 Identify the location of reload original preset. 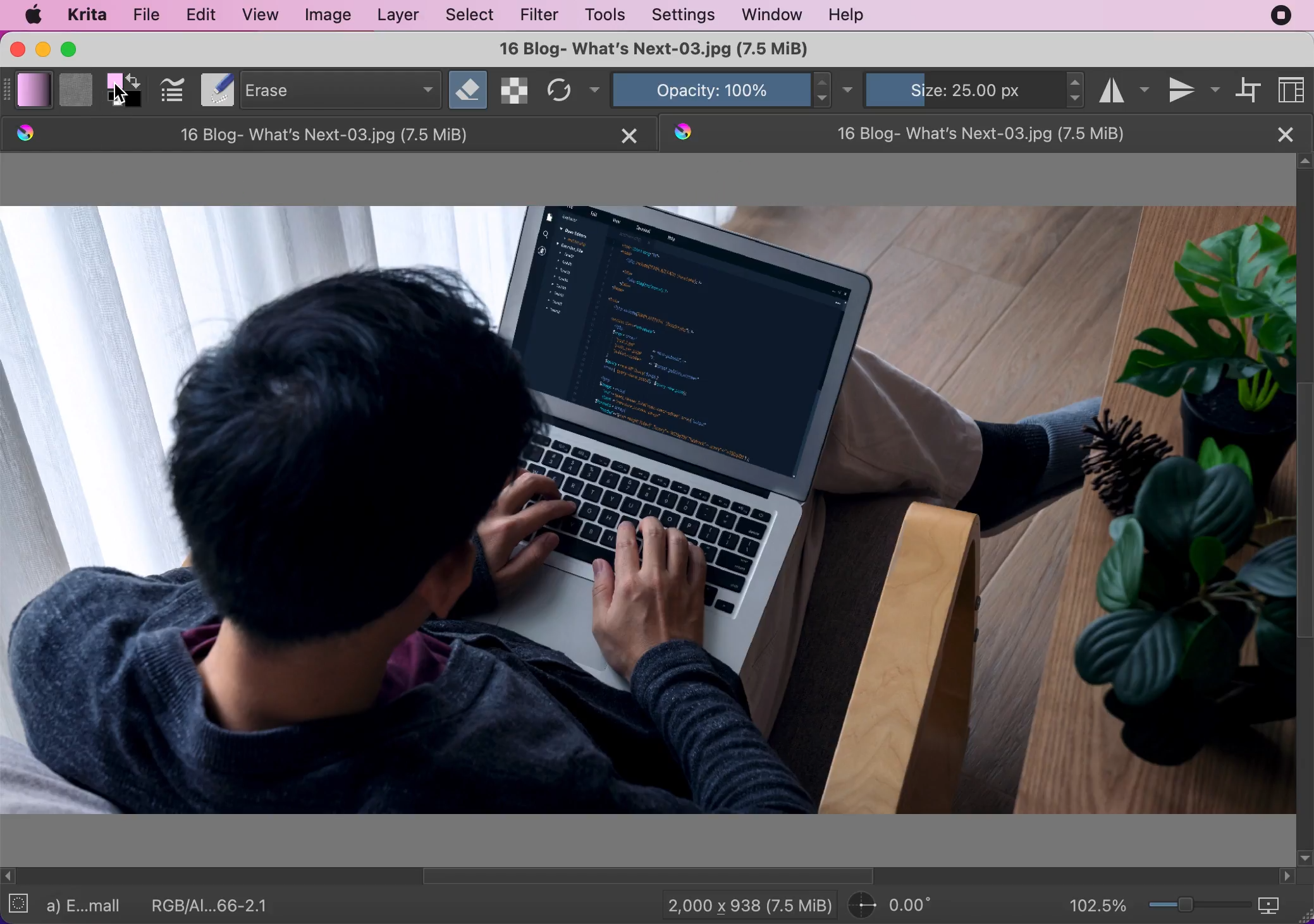
(557, 90).